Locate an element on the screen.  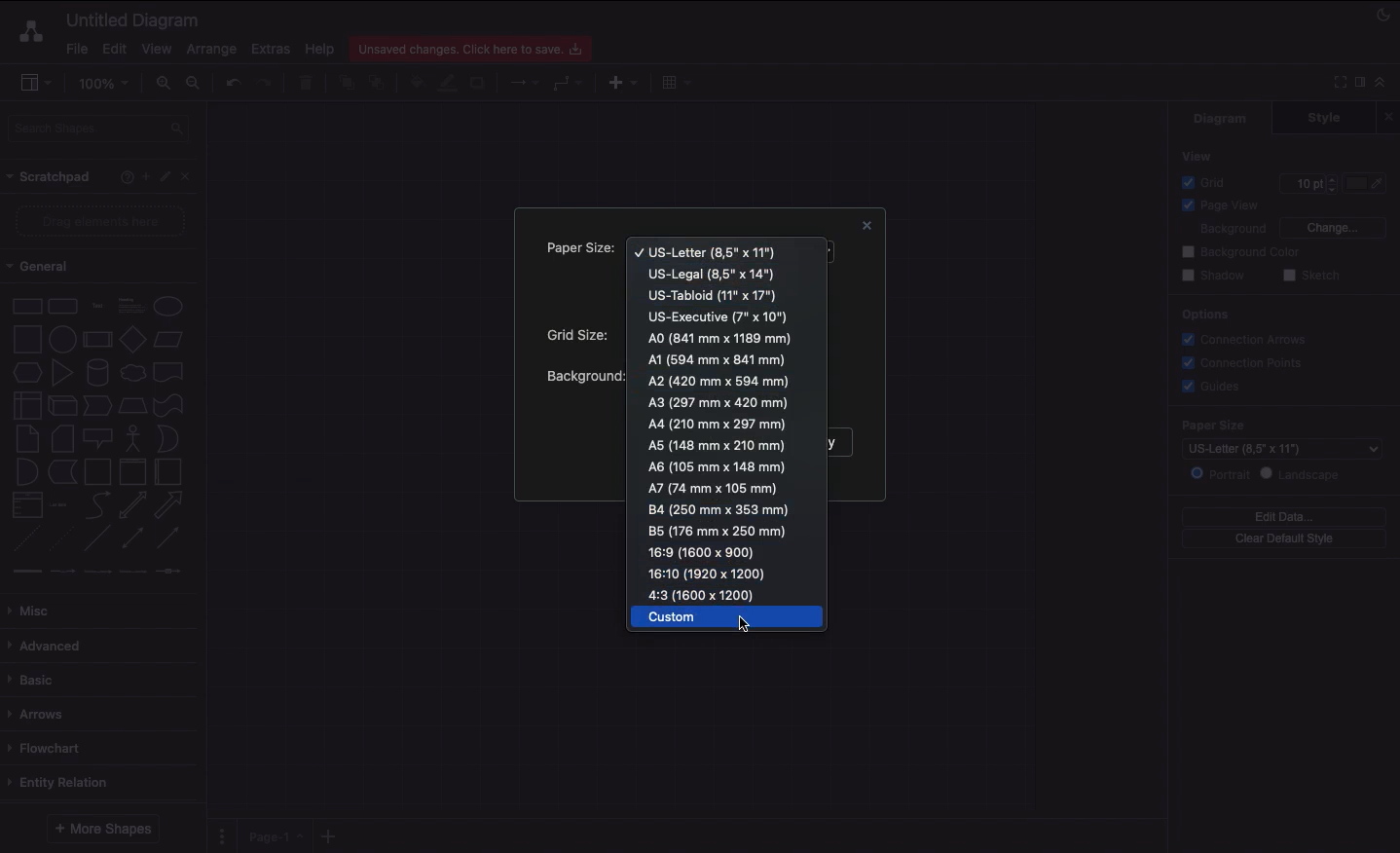
US letter is located at coordinates (708, 252).